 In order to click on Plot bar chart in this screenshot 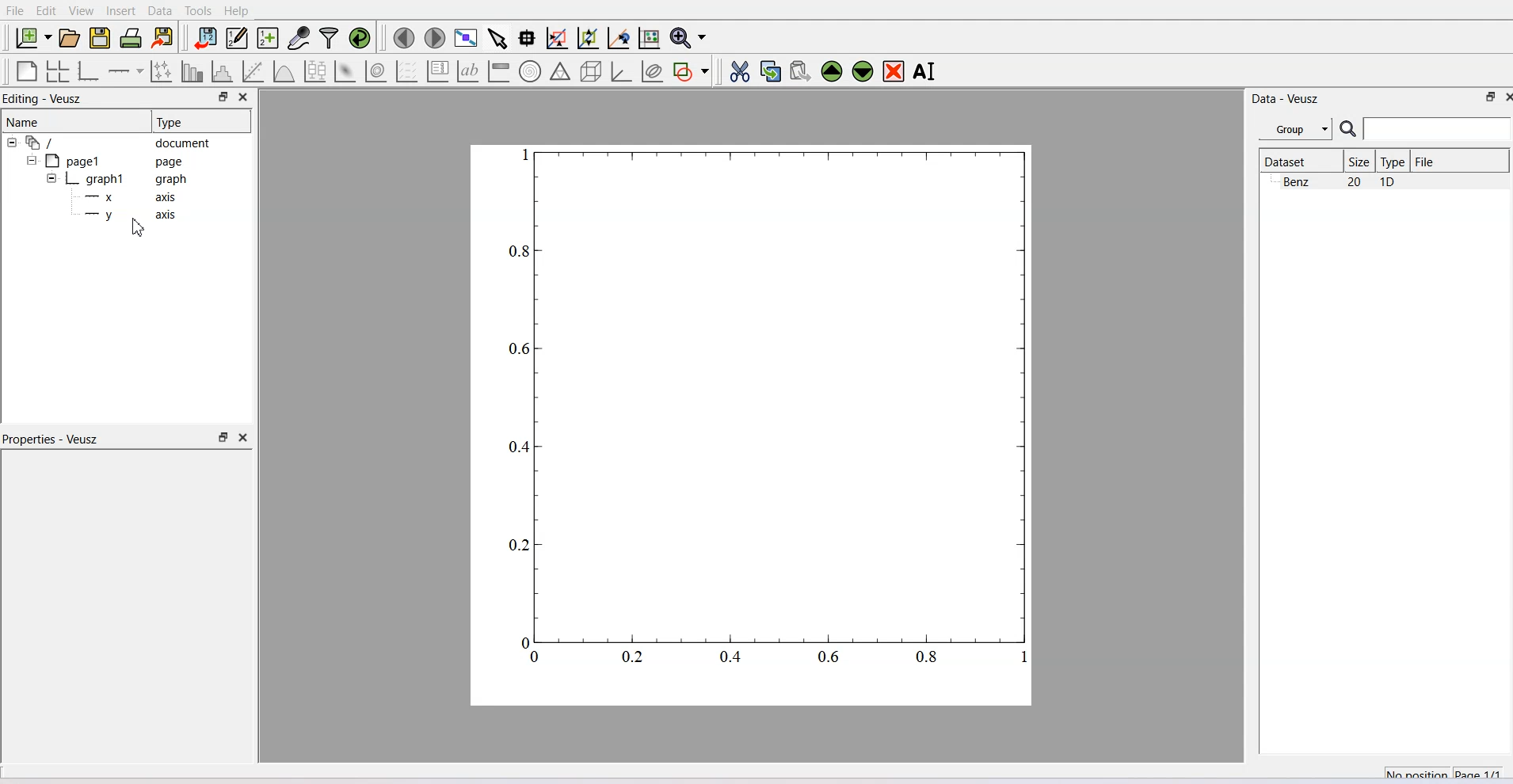, I will do `click(192, 70)`.